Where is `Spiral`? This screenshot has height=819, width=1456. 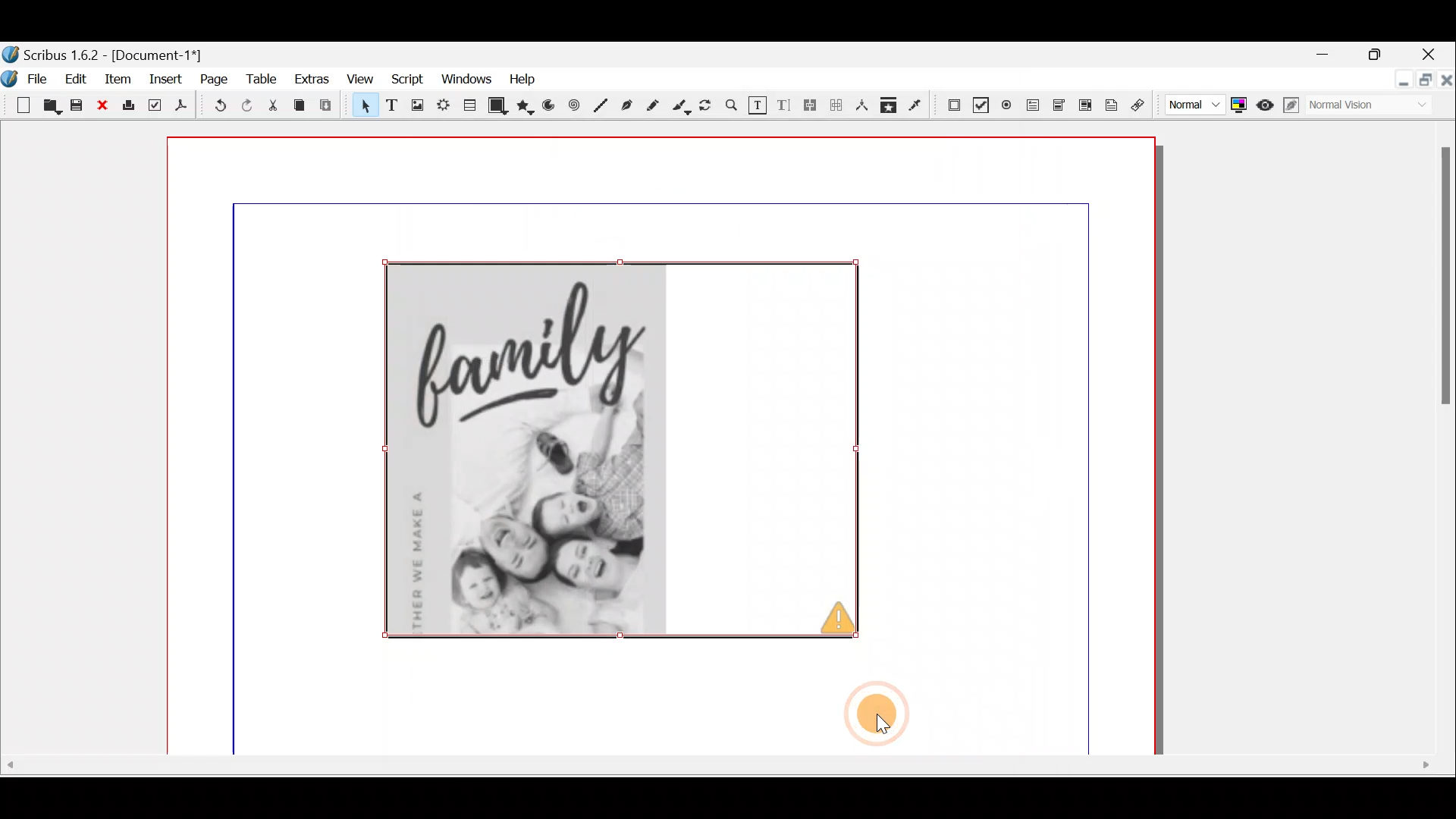 Spiral is located at coordinates (572, 104).